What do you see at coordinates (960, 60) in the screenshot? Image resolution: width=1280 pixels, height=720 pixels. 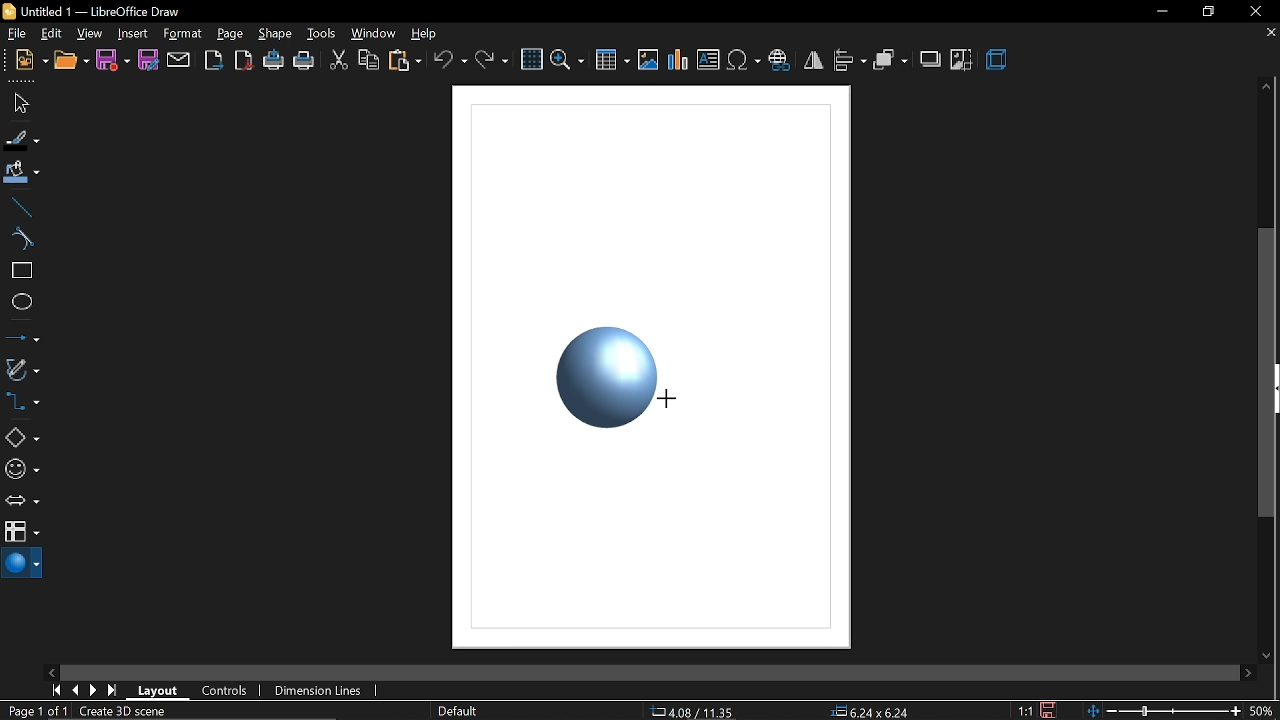 I see `crop` at bounding box center [960, 60].